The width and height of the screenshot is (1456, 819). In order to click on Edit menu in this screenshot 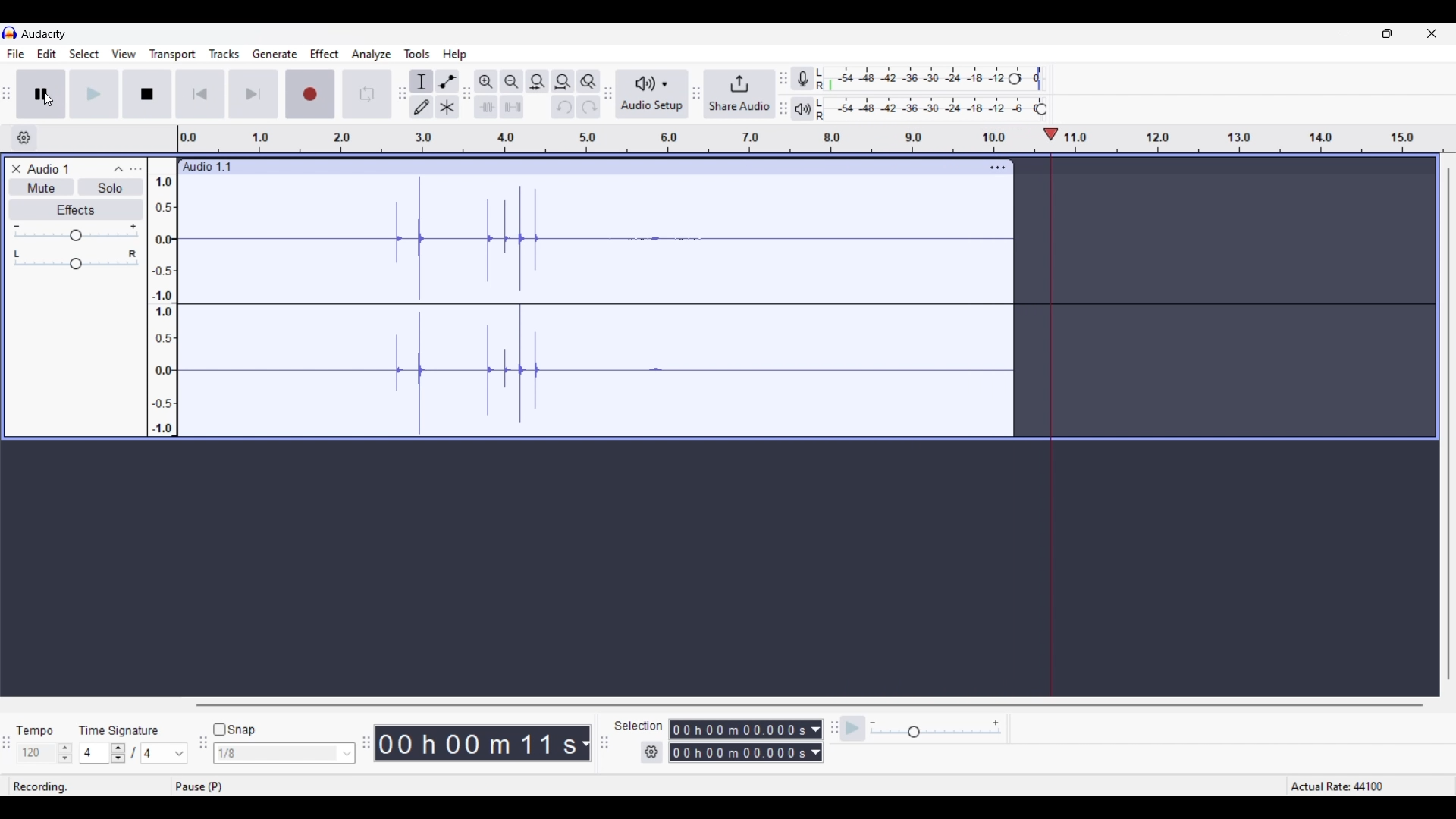, I will do `click(47, 54)`.